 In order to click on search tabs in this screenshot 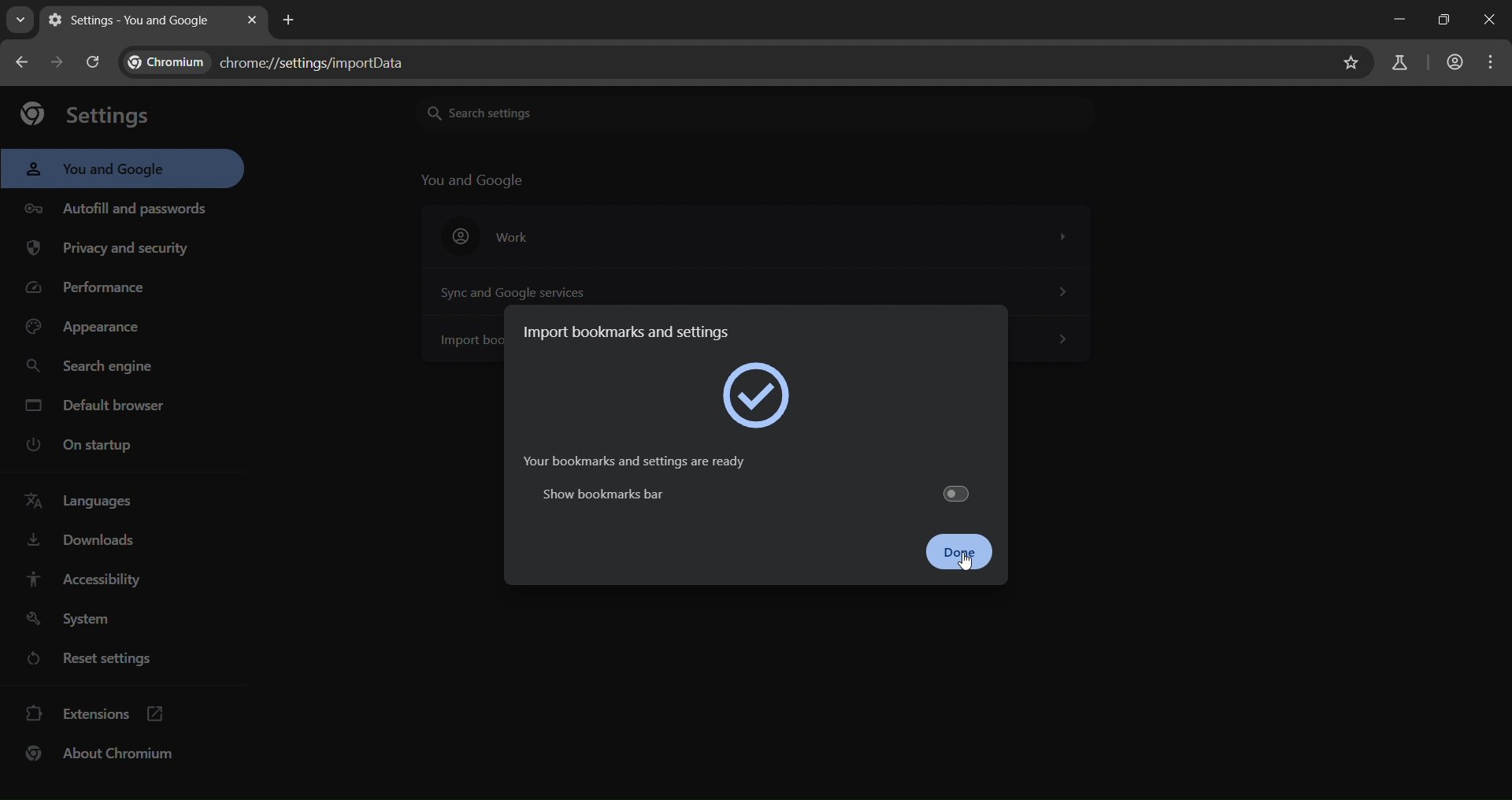, I will do `click(22, 22)`.